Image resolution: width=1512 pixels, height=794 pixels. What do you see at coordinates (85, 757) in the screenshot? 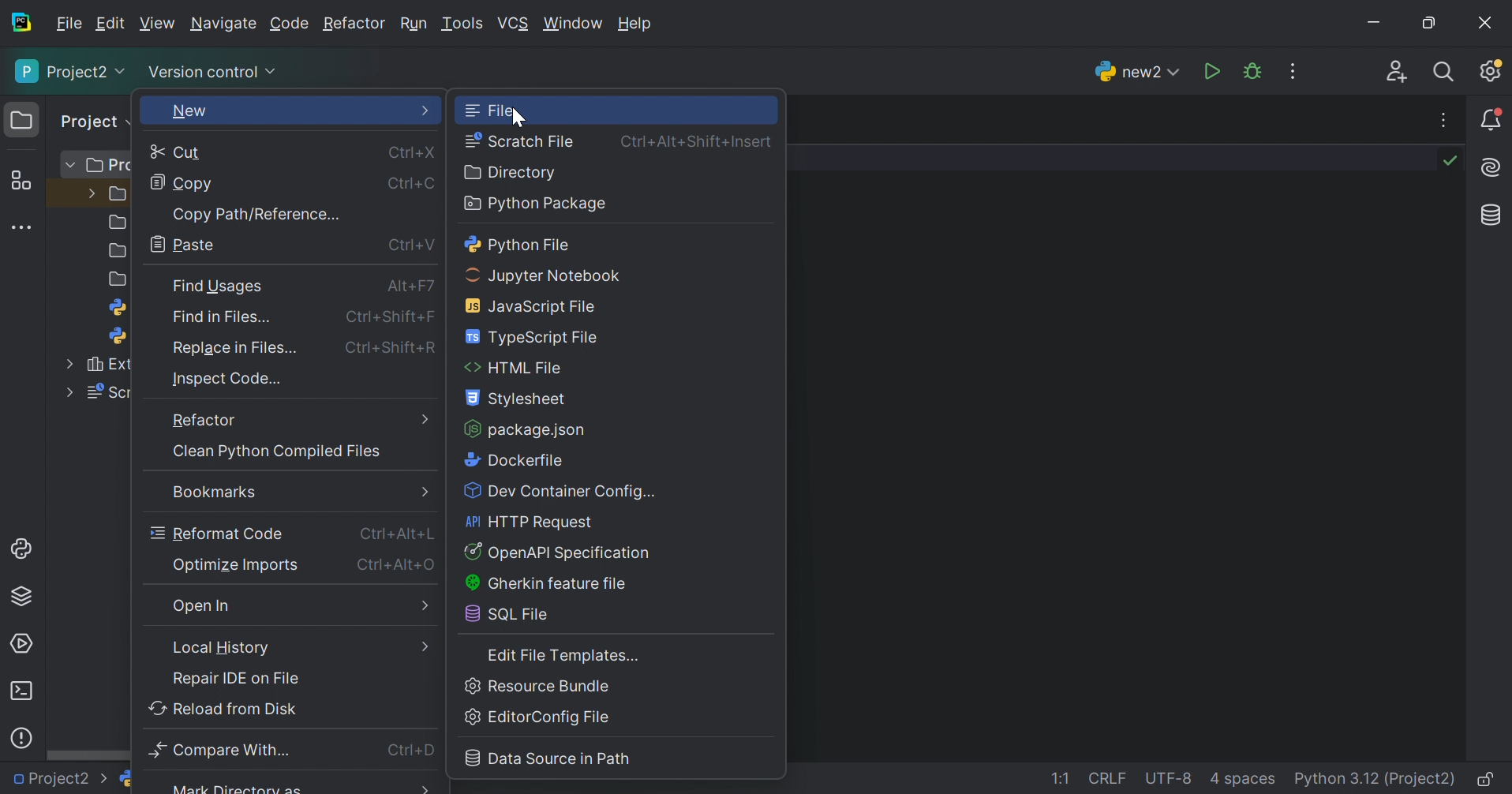
I see `Scroll bar` at bounding box center [85, 757].